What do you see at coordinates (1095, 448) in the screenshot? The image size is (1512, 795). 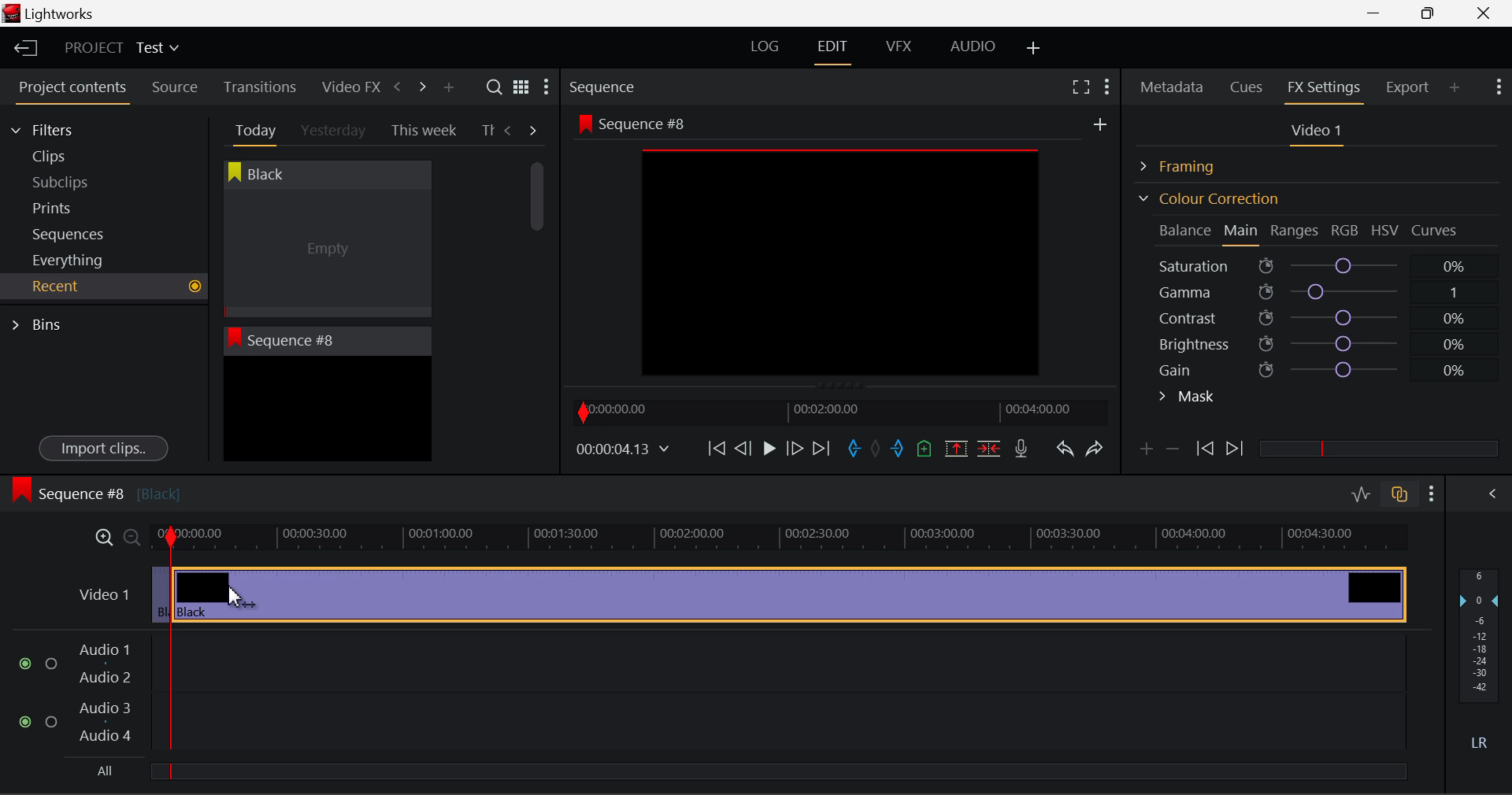 I see `Redo` at bounding box center [1095, 448].